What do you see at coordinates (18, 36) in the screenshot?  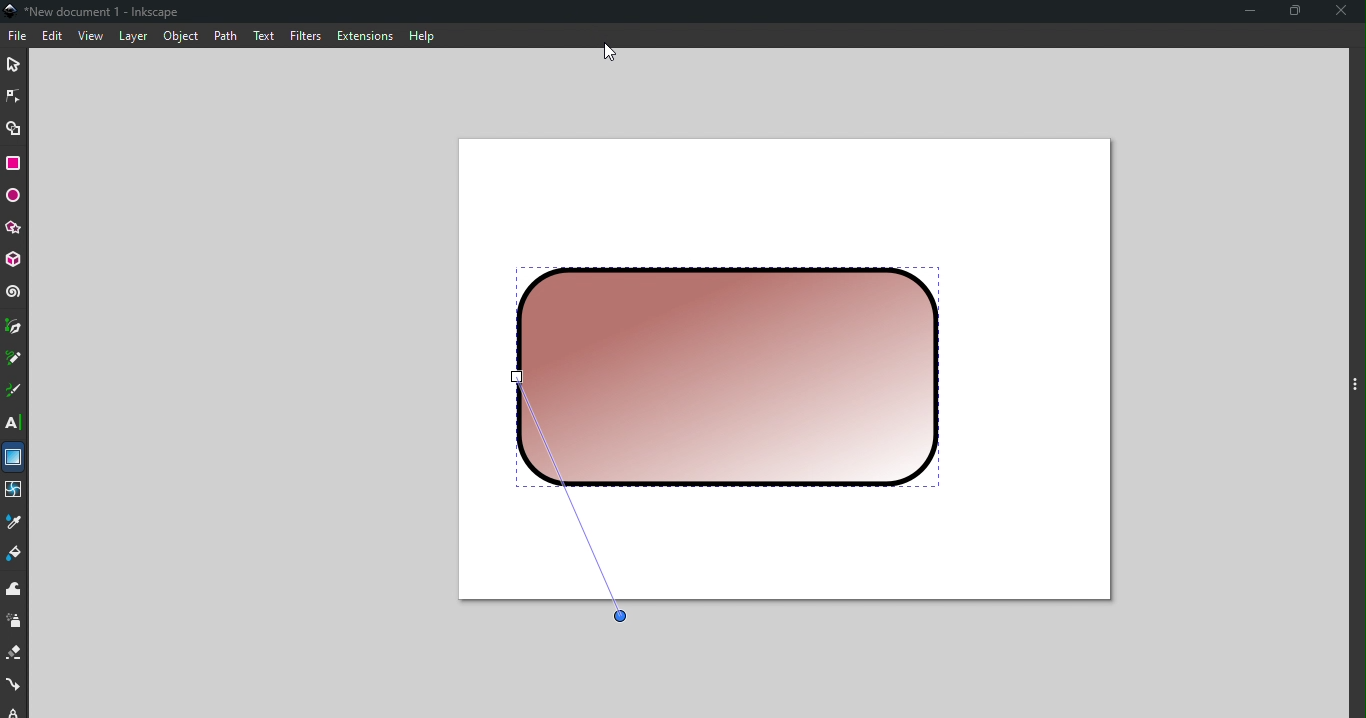 I see `File` at bounding box center [18, 36].